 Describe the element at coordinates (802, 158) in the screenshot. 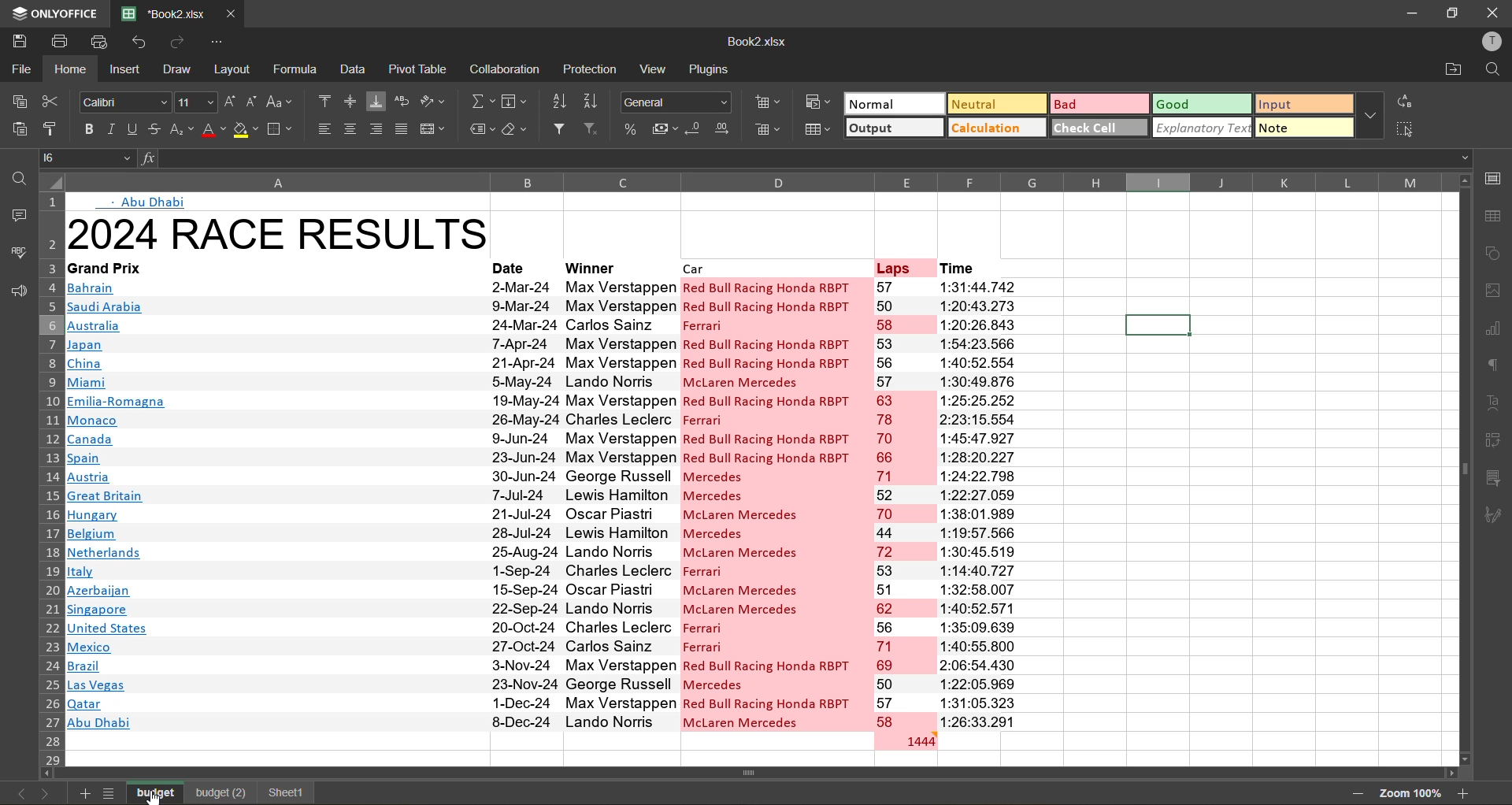

I see `formula bar` at that location.